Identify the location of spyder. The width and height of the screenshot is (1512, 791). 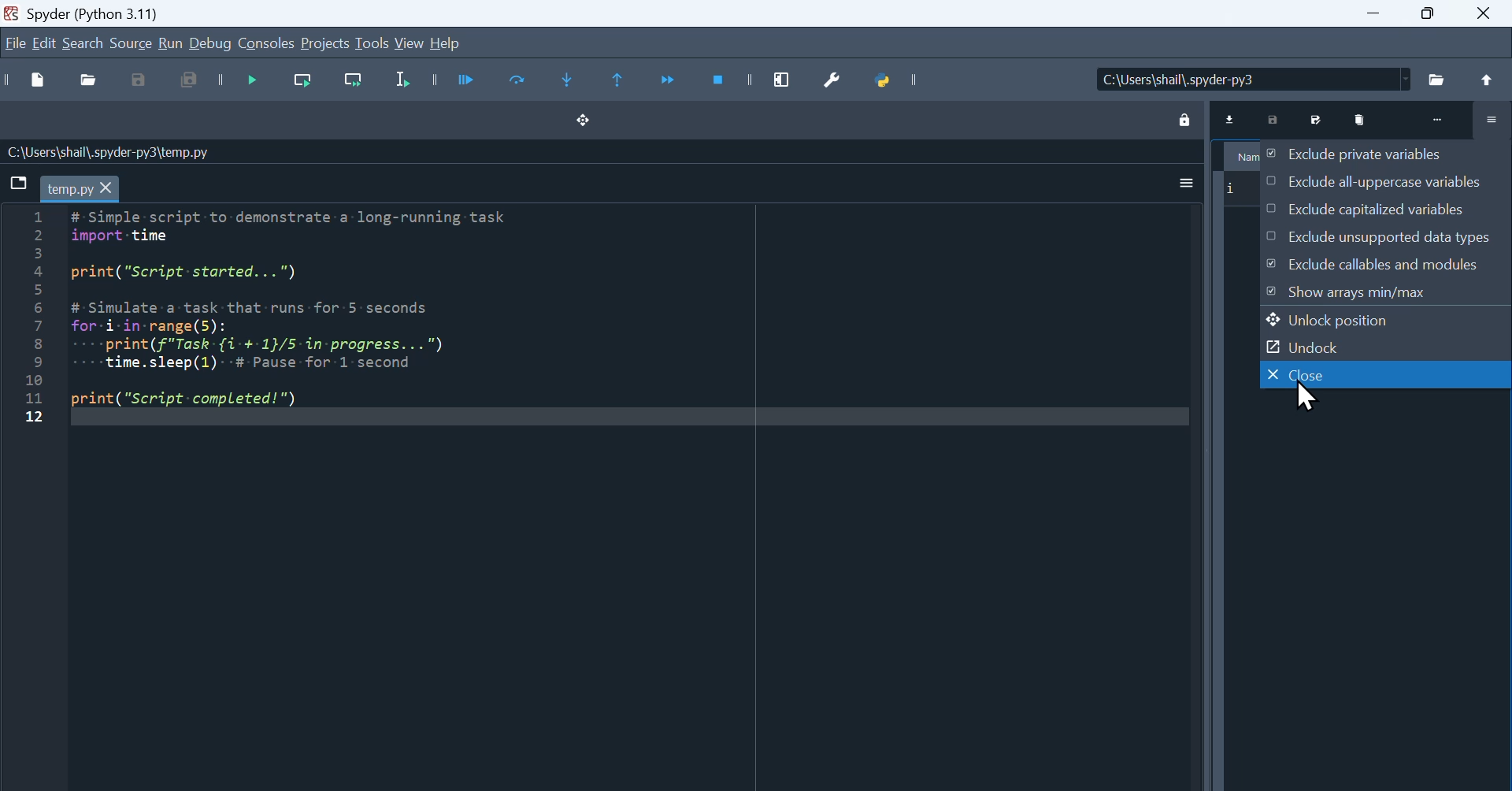
(83, 13).